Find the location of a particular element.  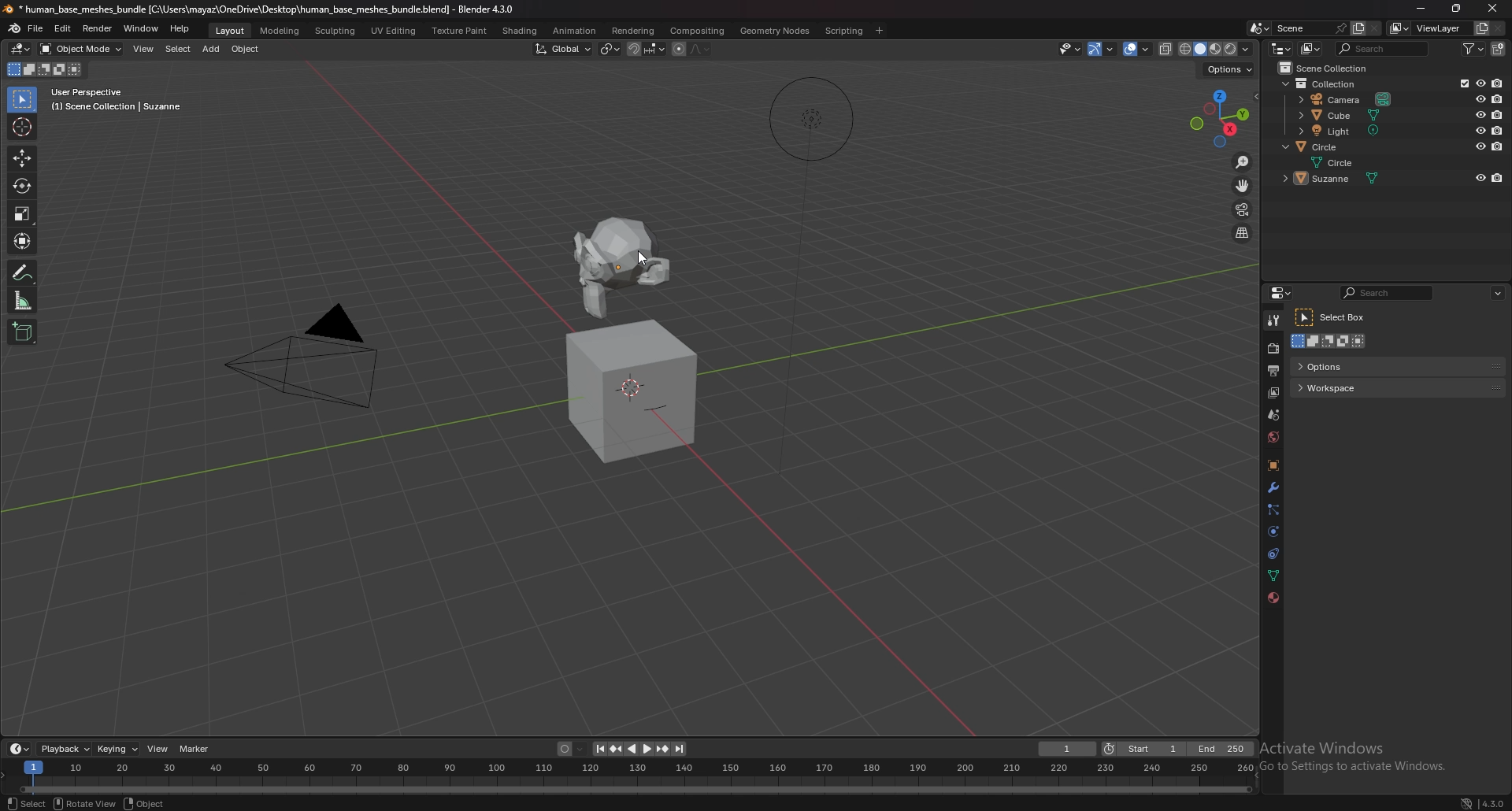

disable in renders is located at coordinates (1498, 130).